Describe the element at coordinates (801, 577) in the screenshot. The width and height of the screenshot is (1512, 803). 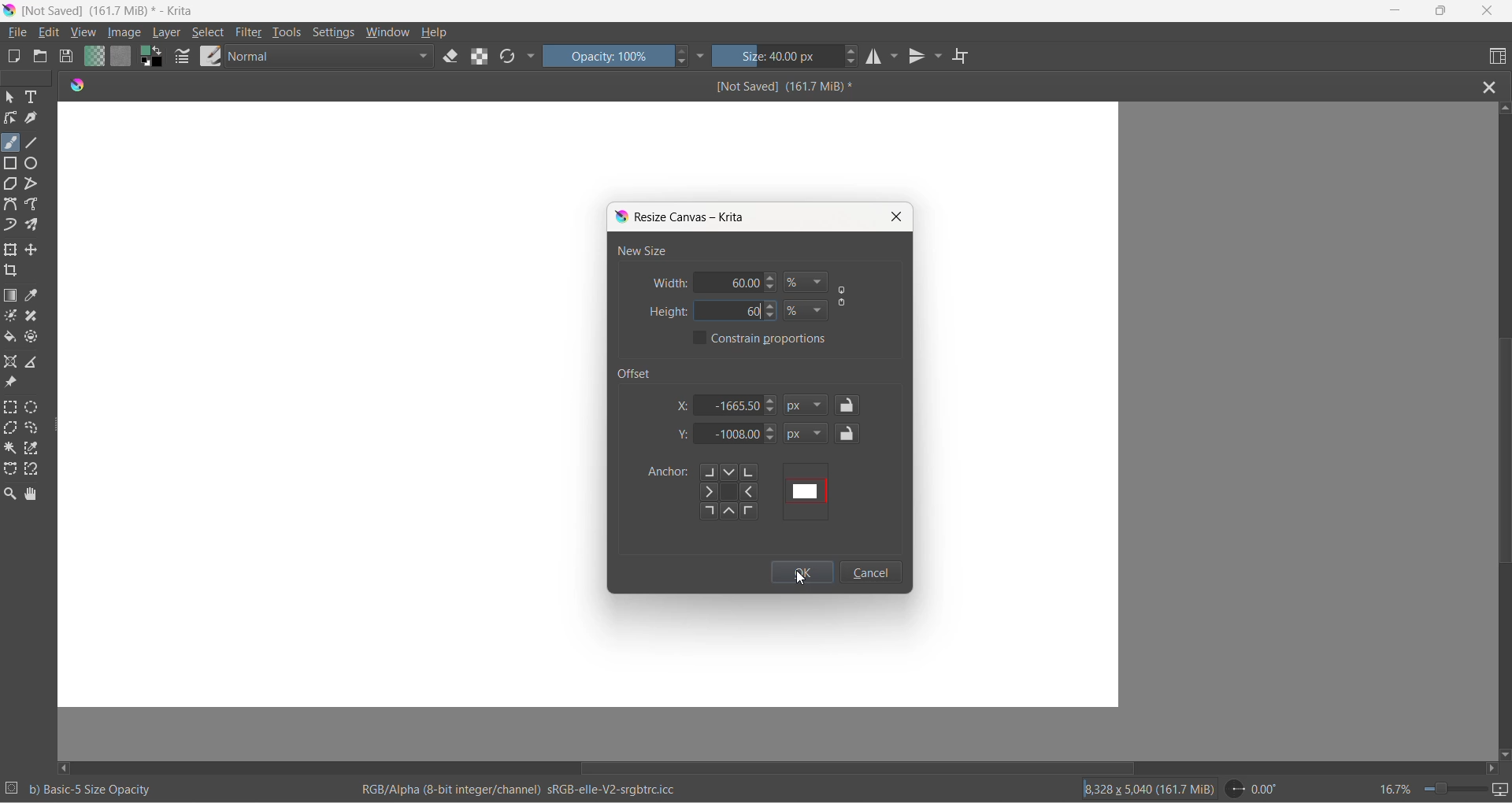
I see `cursor on ok` at that location.